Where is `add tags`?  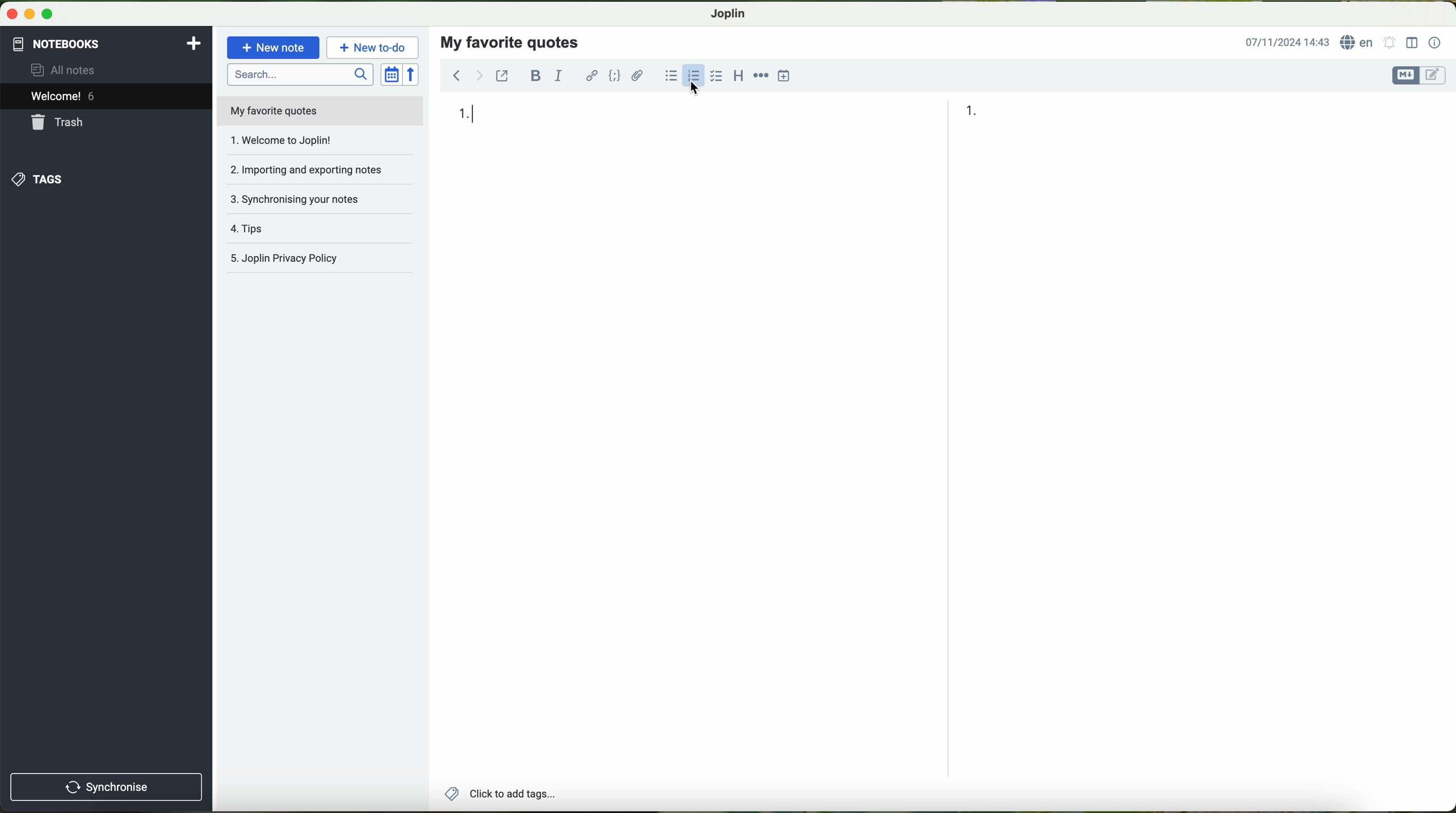 add tags is located at coordinates (500, 795).